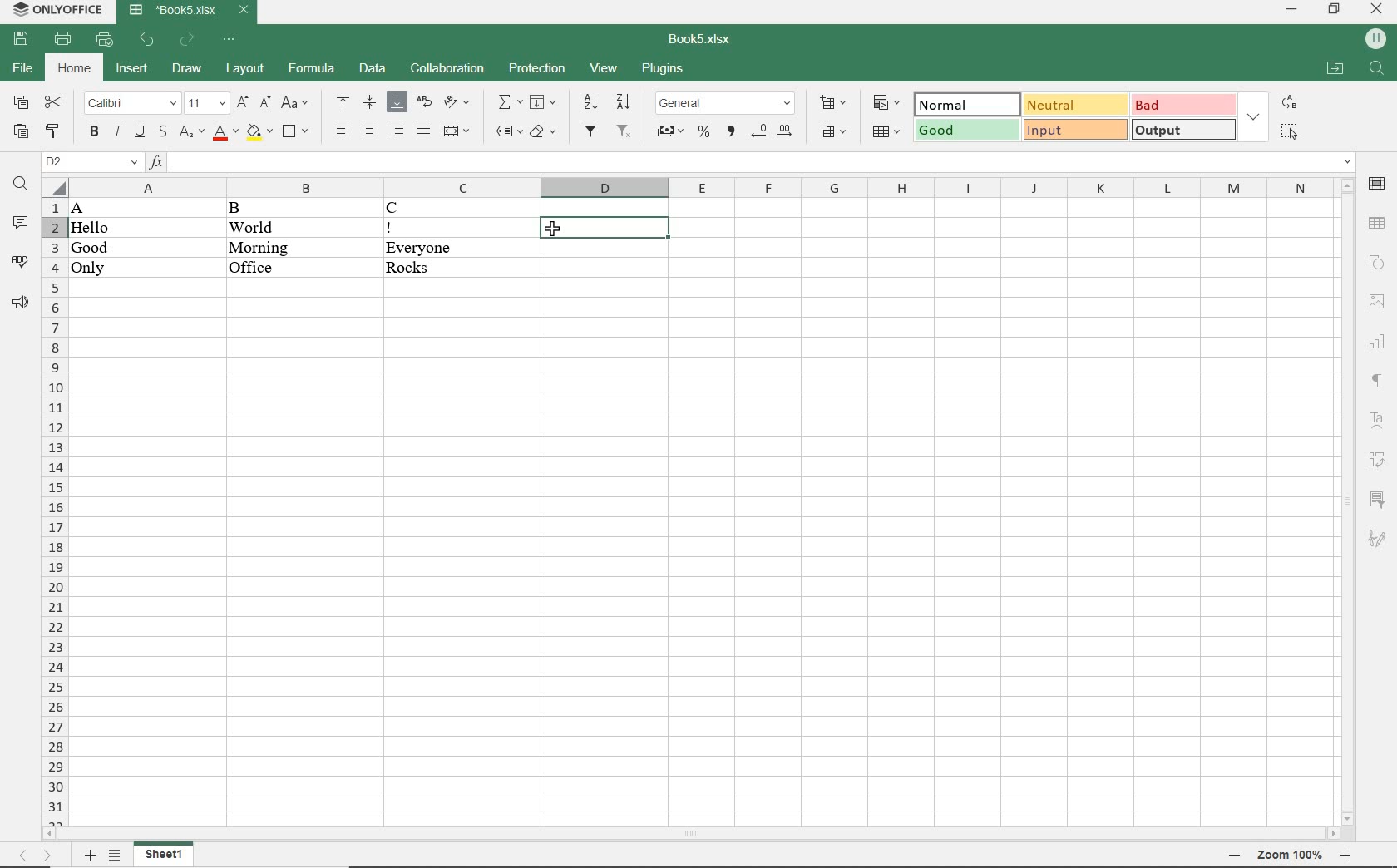 The width and height of the screenshot is (1397, 868). Describe the element at coordinates (260, 133) in the screenshot. I see `fill color` at that location.